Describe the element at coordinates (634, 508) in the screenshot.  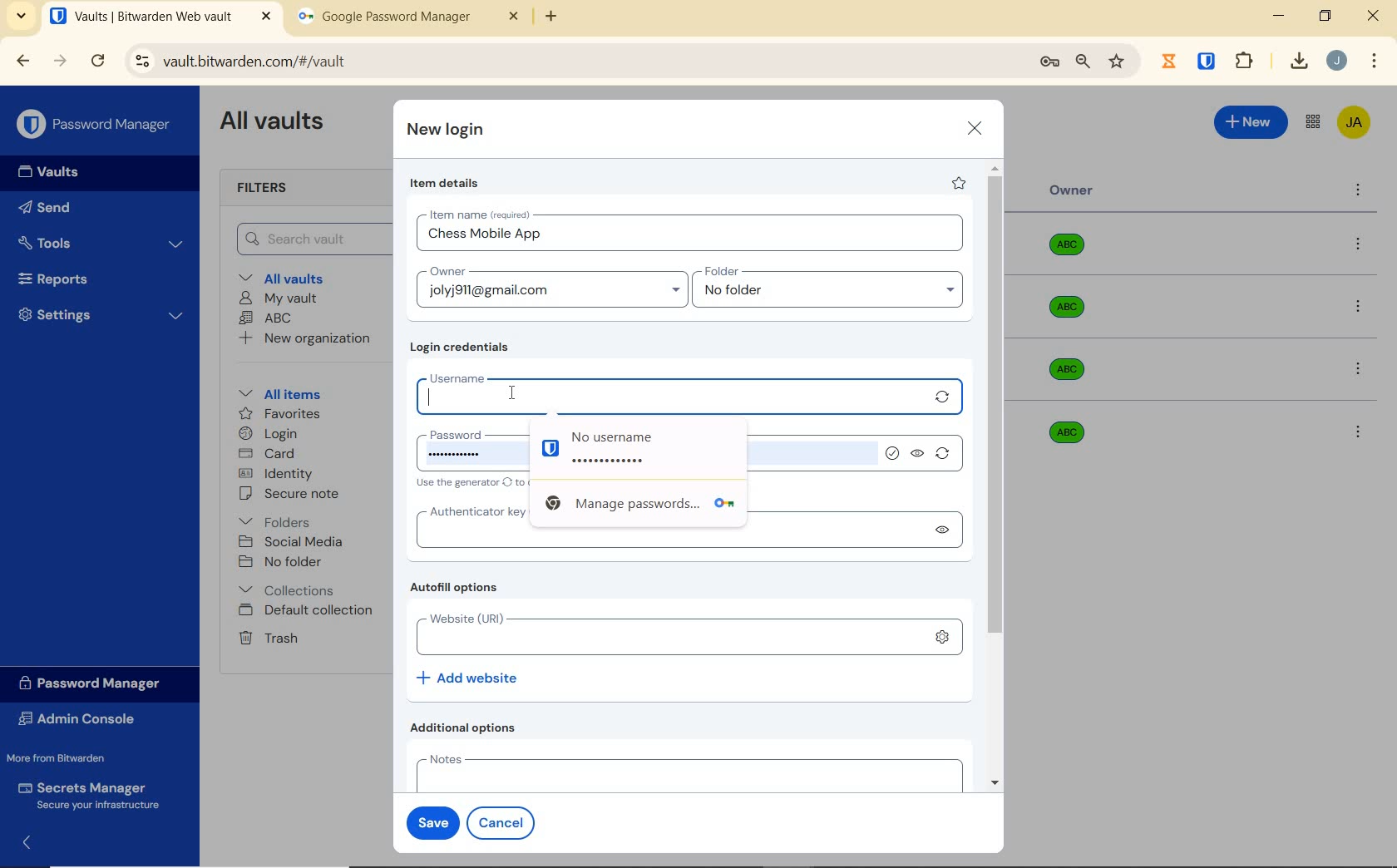
I see `® Manage passwords... On` at that location.